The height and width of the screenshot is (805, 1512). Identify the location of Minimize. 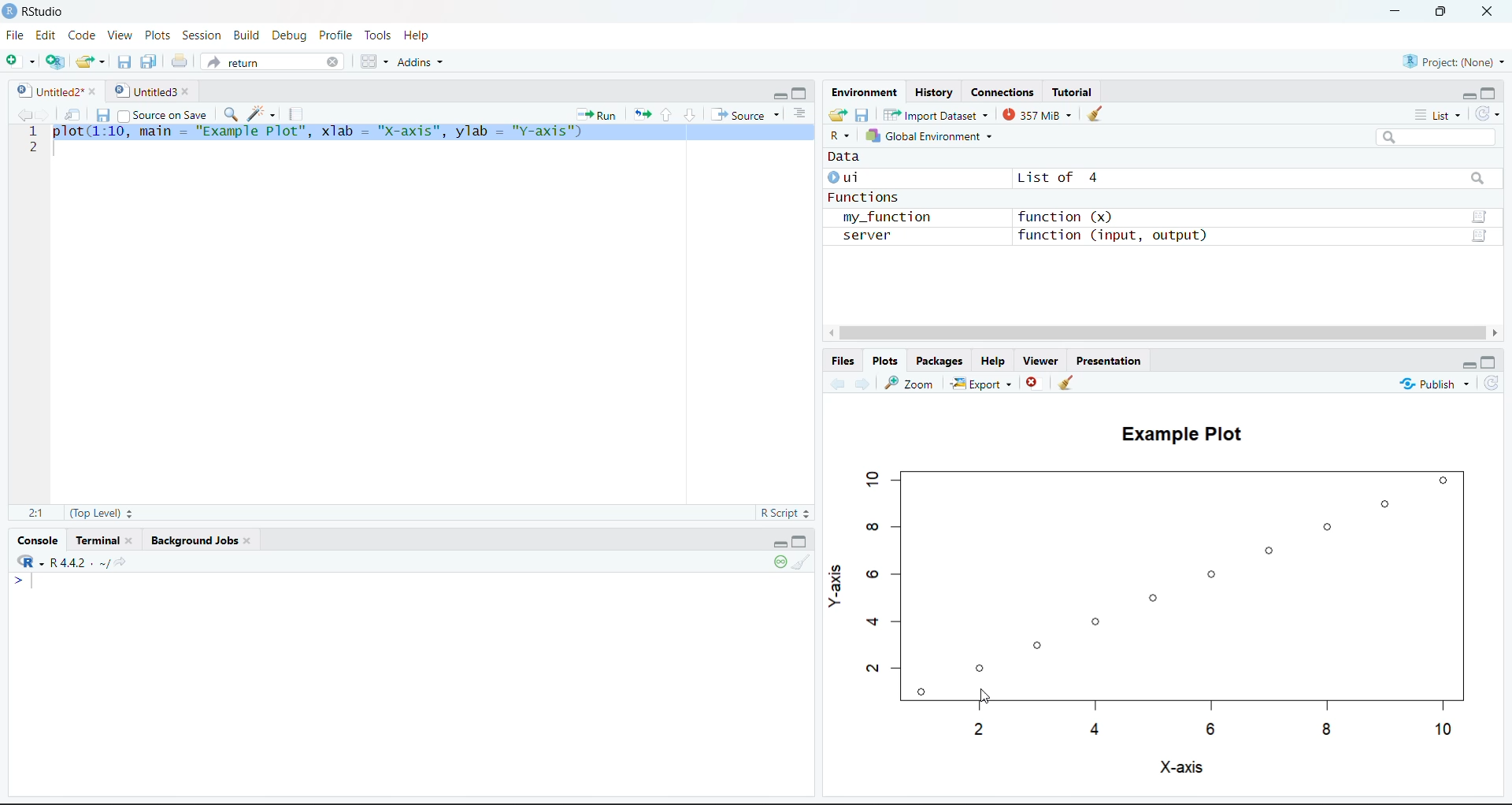
(780, 95).